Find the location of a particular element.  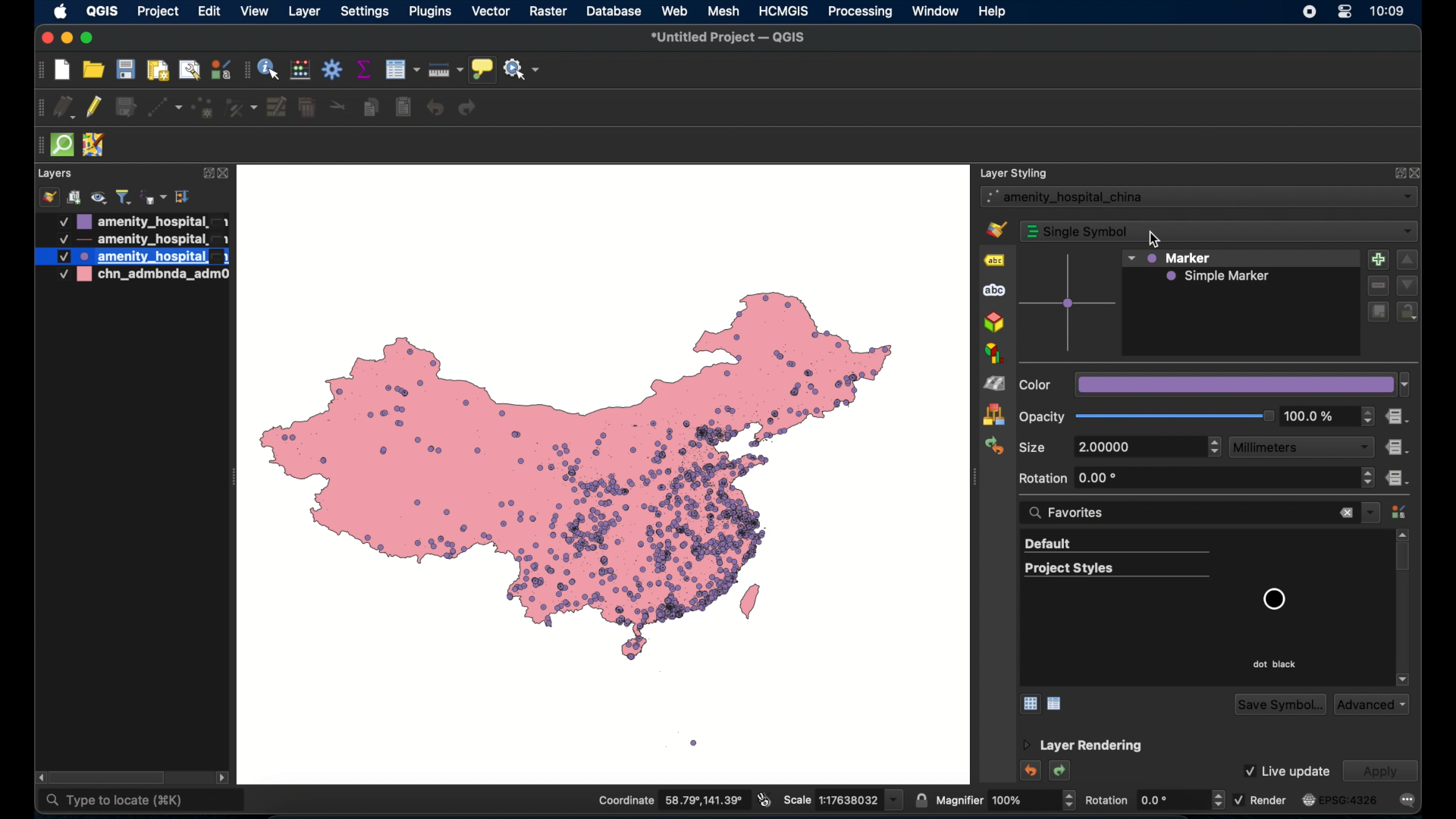

style manager is located at coordinates (48, 197).